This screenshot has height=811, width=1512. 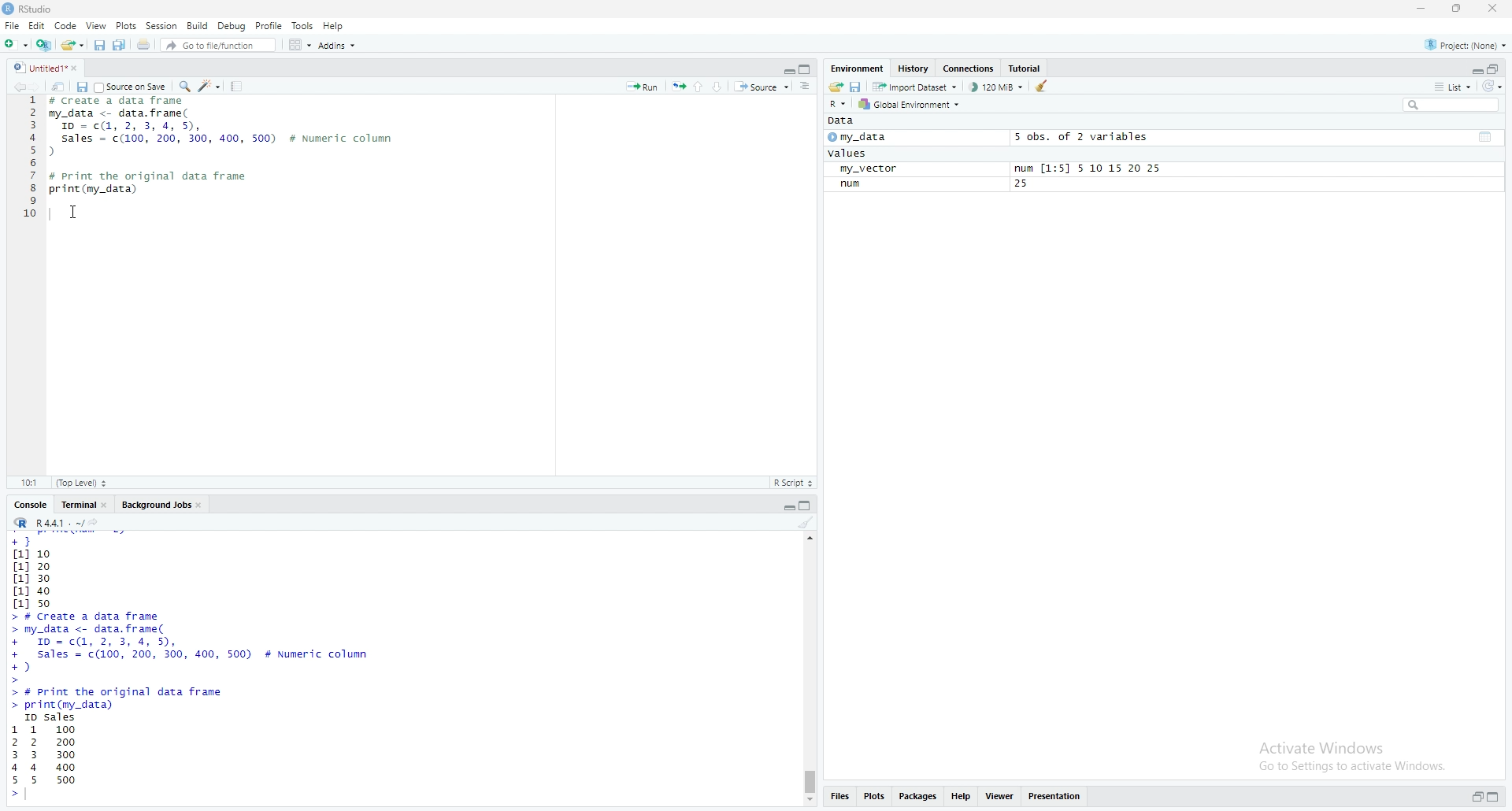 What do you see at coordinates (812, 801) in the screenshot?
I see `move down` at bounding box center [812, 801].